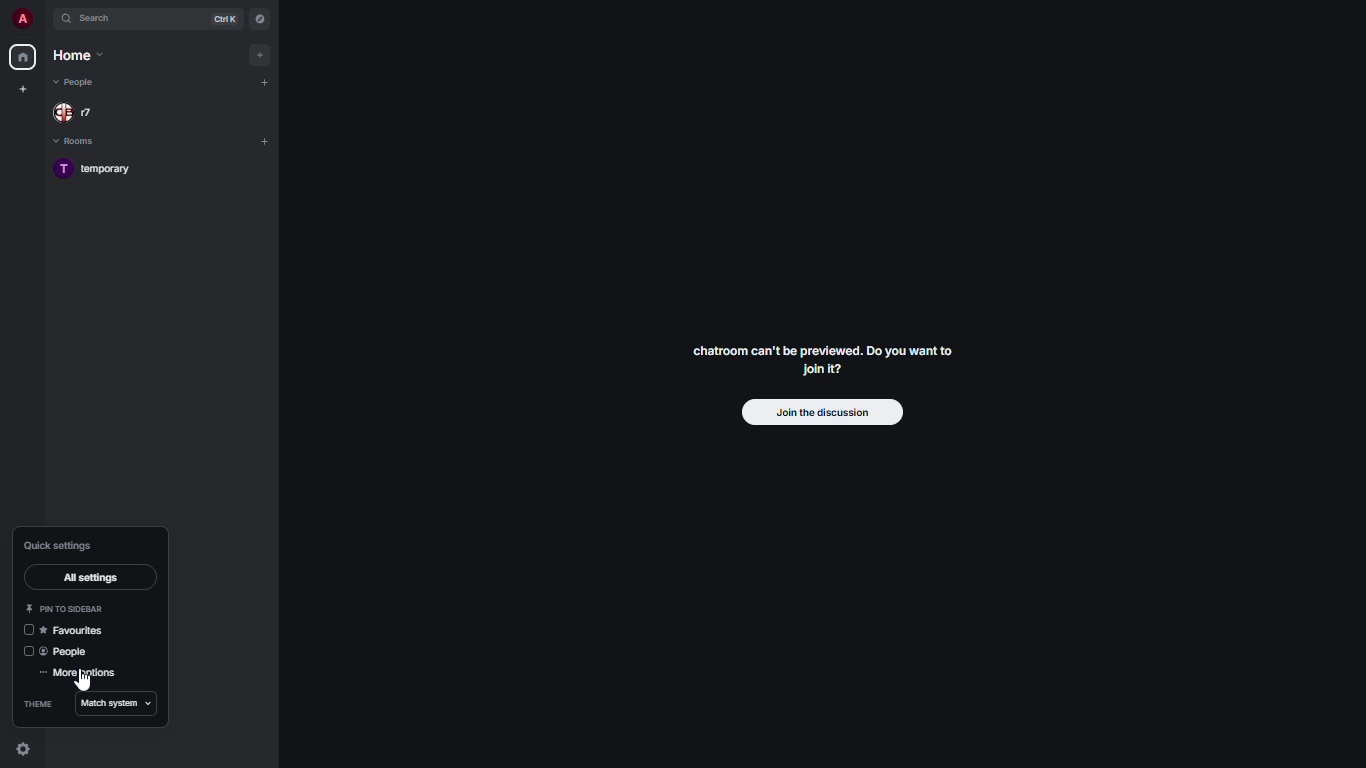  I want to click on add, so click(267, 141).